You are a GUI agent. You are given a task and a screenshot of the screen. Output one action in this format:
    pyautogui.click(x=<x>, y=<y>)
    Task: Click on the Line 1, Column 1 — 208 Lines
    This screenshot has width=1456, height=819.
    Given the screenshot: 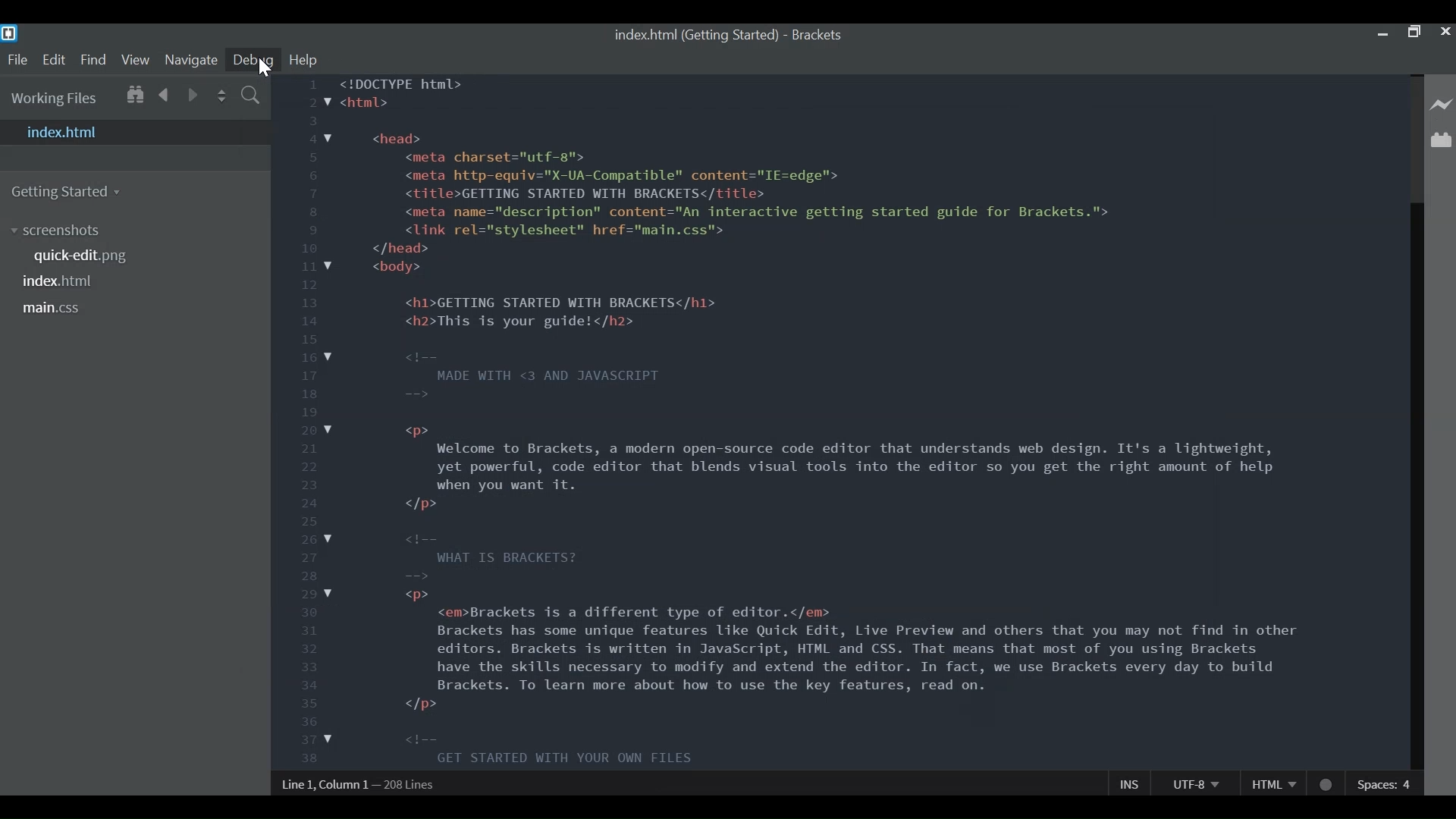 What is the action you would take?
    pyautogui.click(x=364, y=786)
    